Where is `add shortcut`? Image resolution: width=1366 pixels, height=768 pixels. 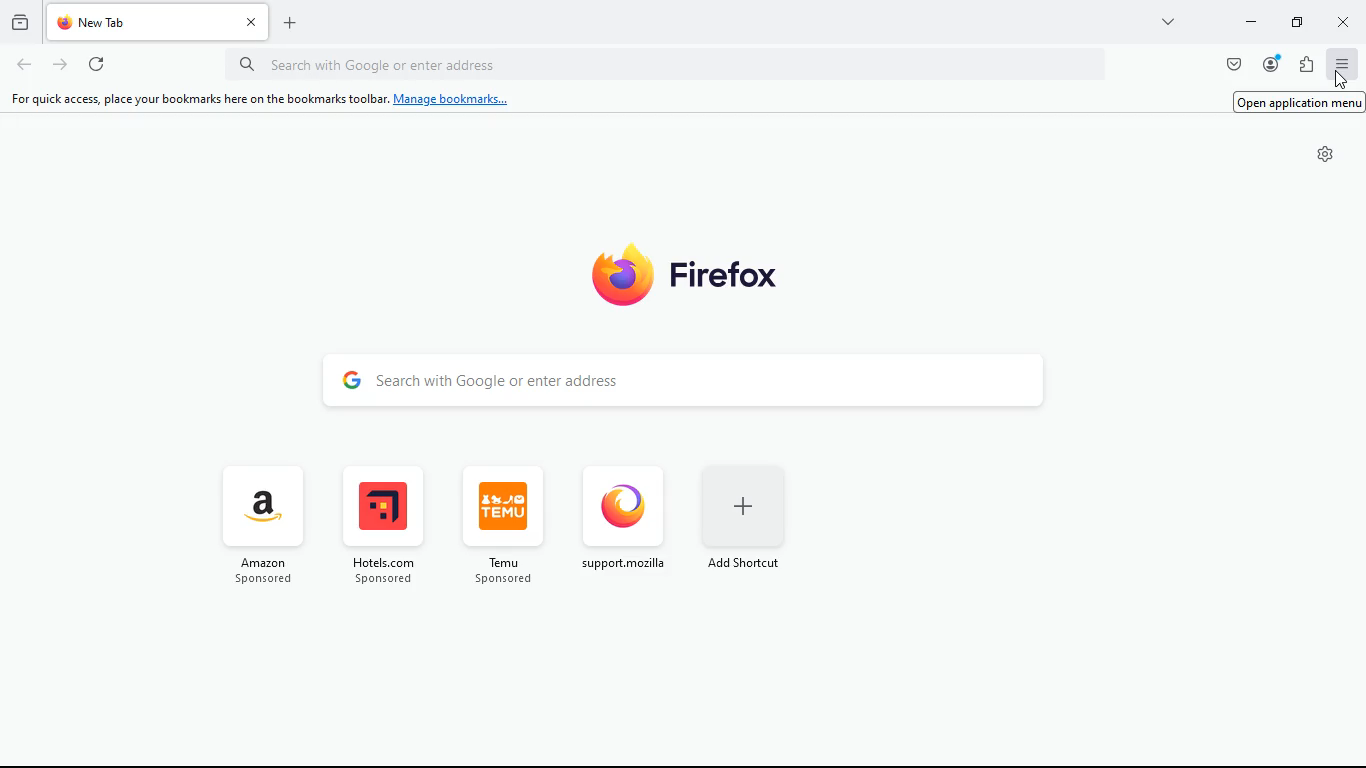
add shortcut is located at coordinates (747, 517).